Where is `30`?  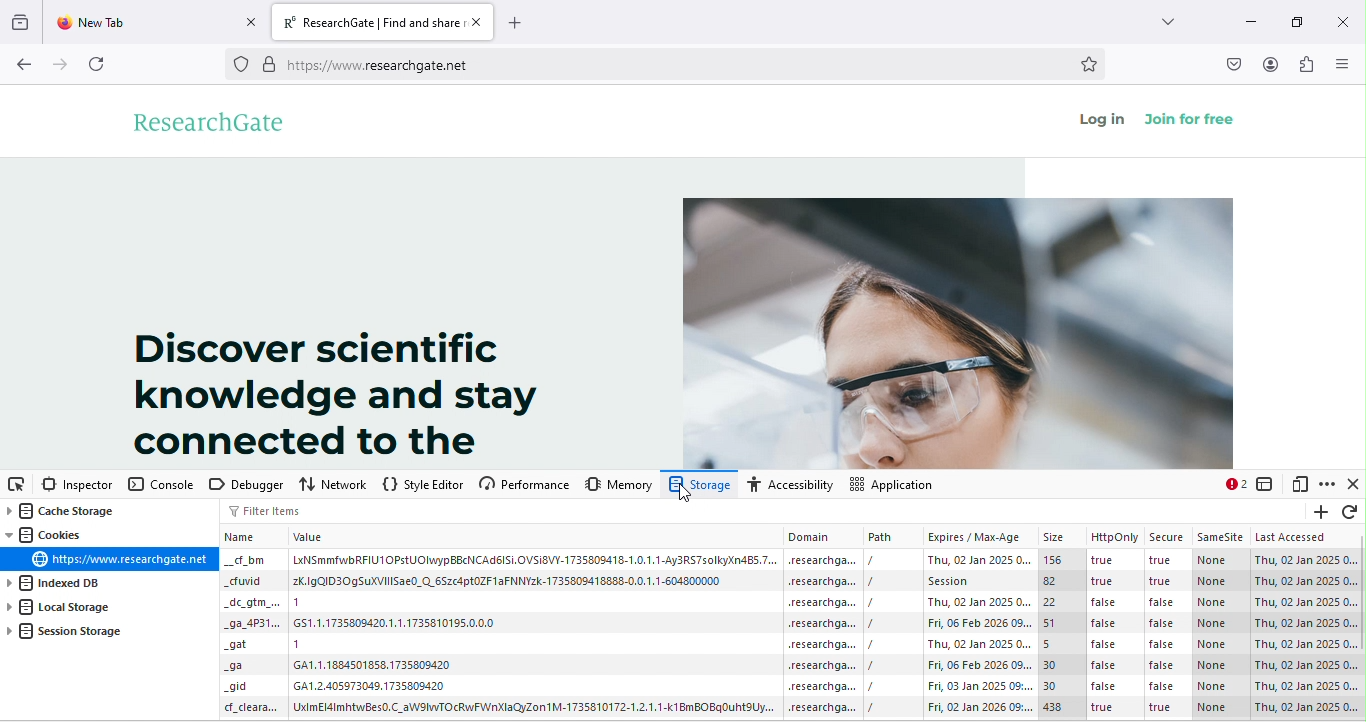 30 is located at coordinates (1050, 687).